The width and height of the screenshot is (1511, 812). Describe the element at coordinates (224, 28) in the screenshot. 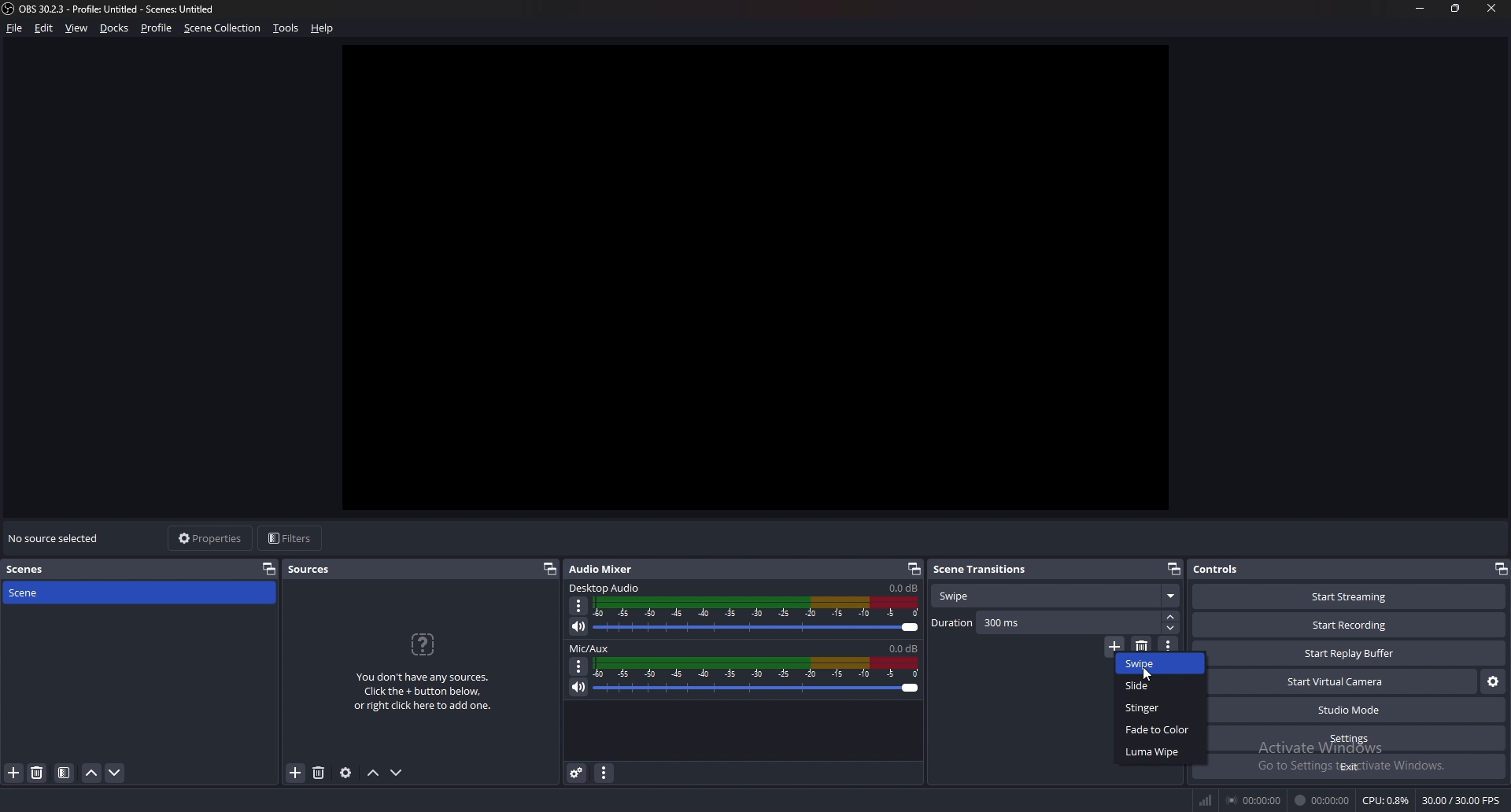

I see `scene collection` at that location.